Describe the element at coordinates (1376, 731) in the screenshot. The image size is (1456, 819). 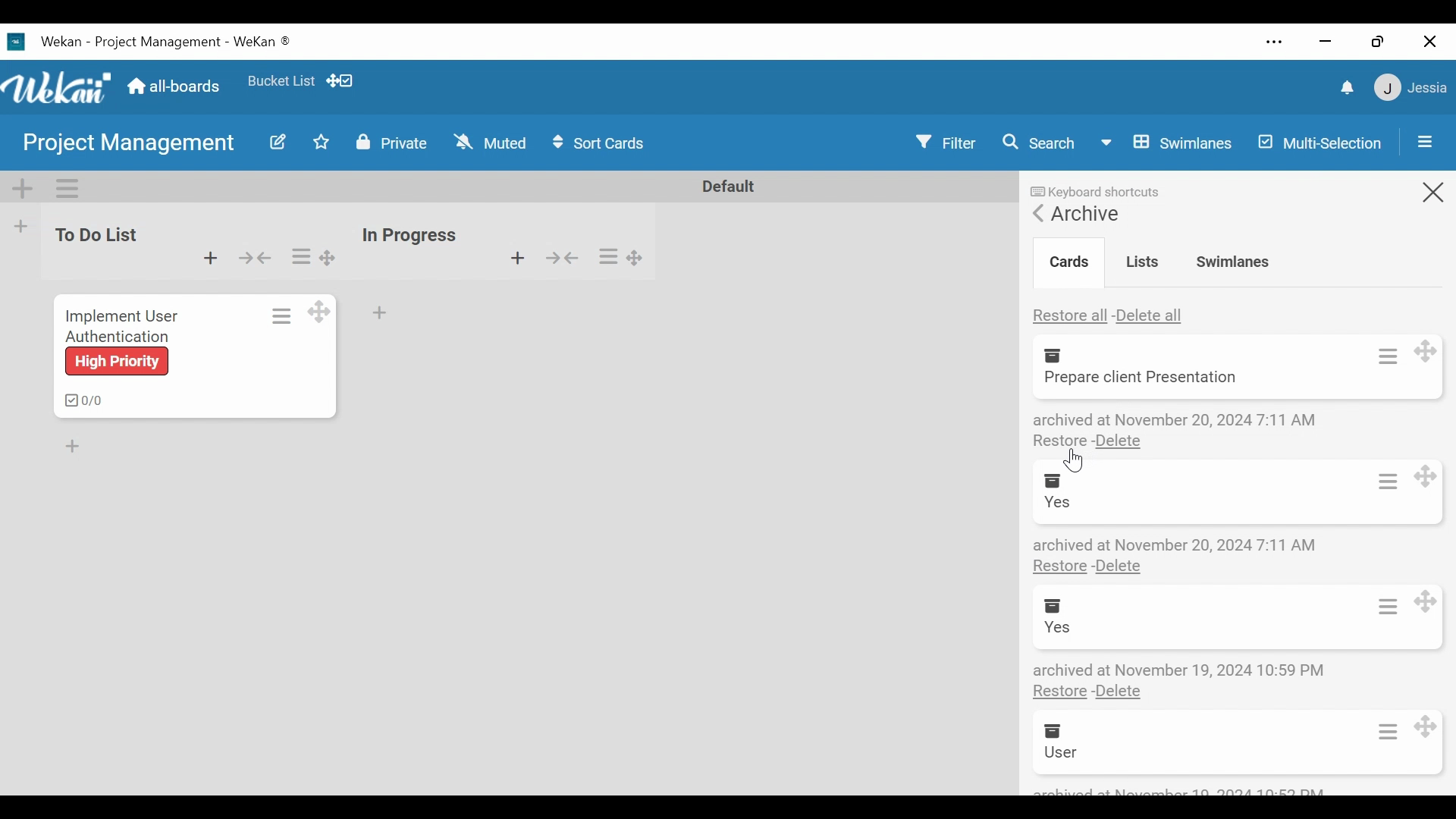
I see `Card actions` at that location.